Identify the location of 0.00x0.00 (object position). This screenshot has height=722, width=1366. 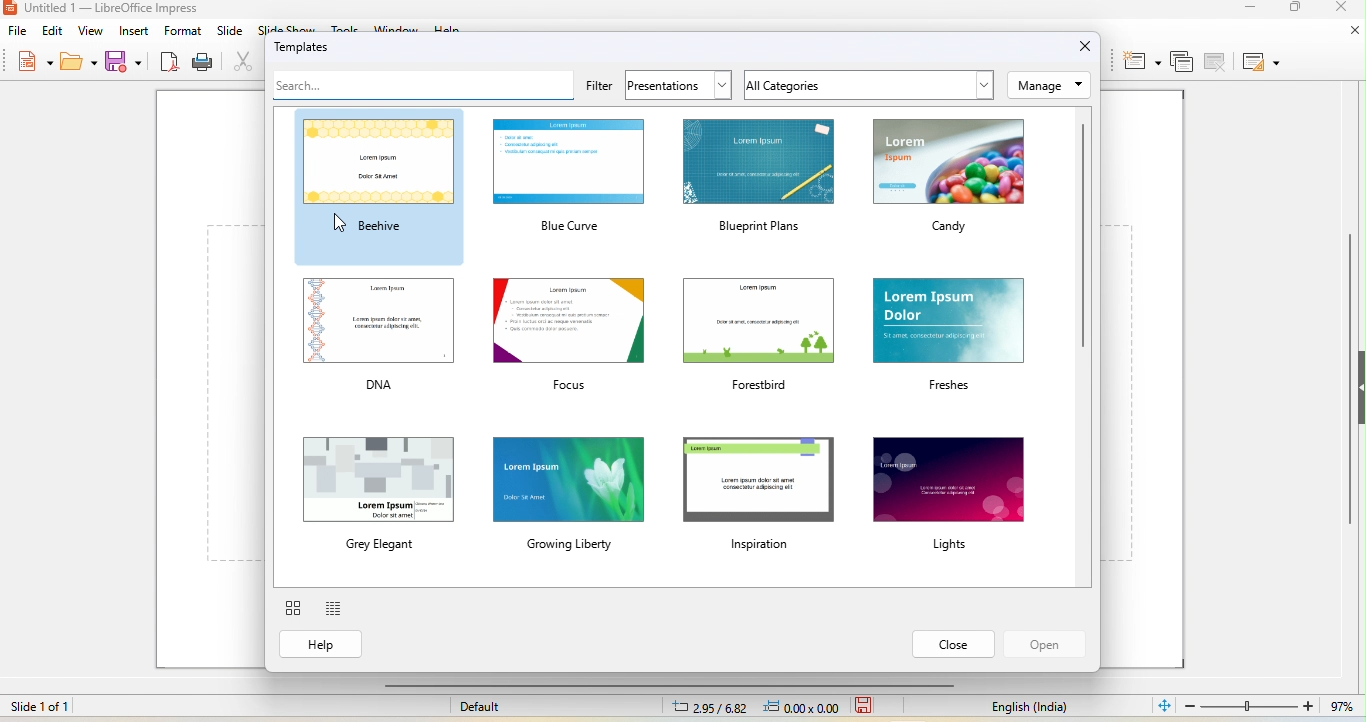
(803, 706).